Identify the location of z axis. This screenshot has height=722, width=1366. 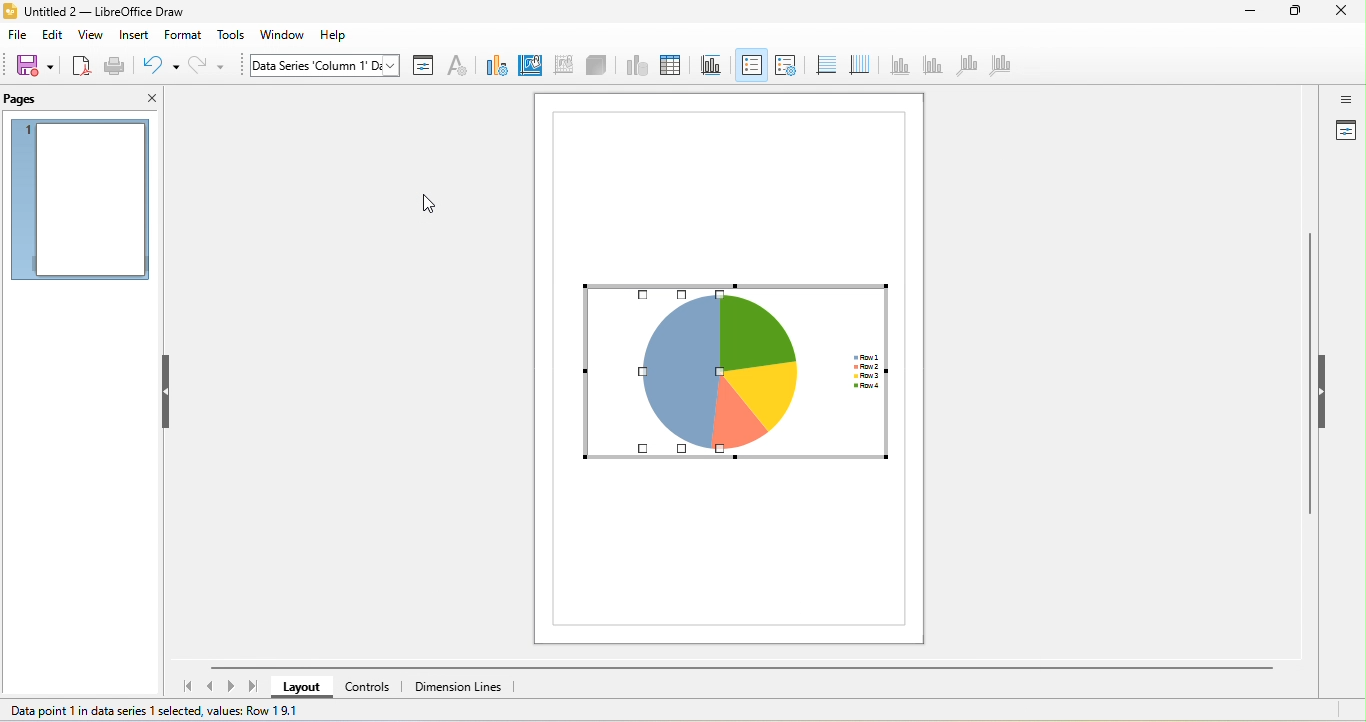
(964, 65).